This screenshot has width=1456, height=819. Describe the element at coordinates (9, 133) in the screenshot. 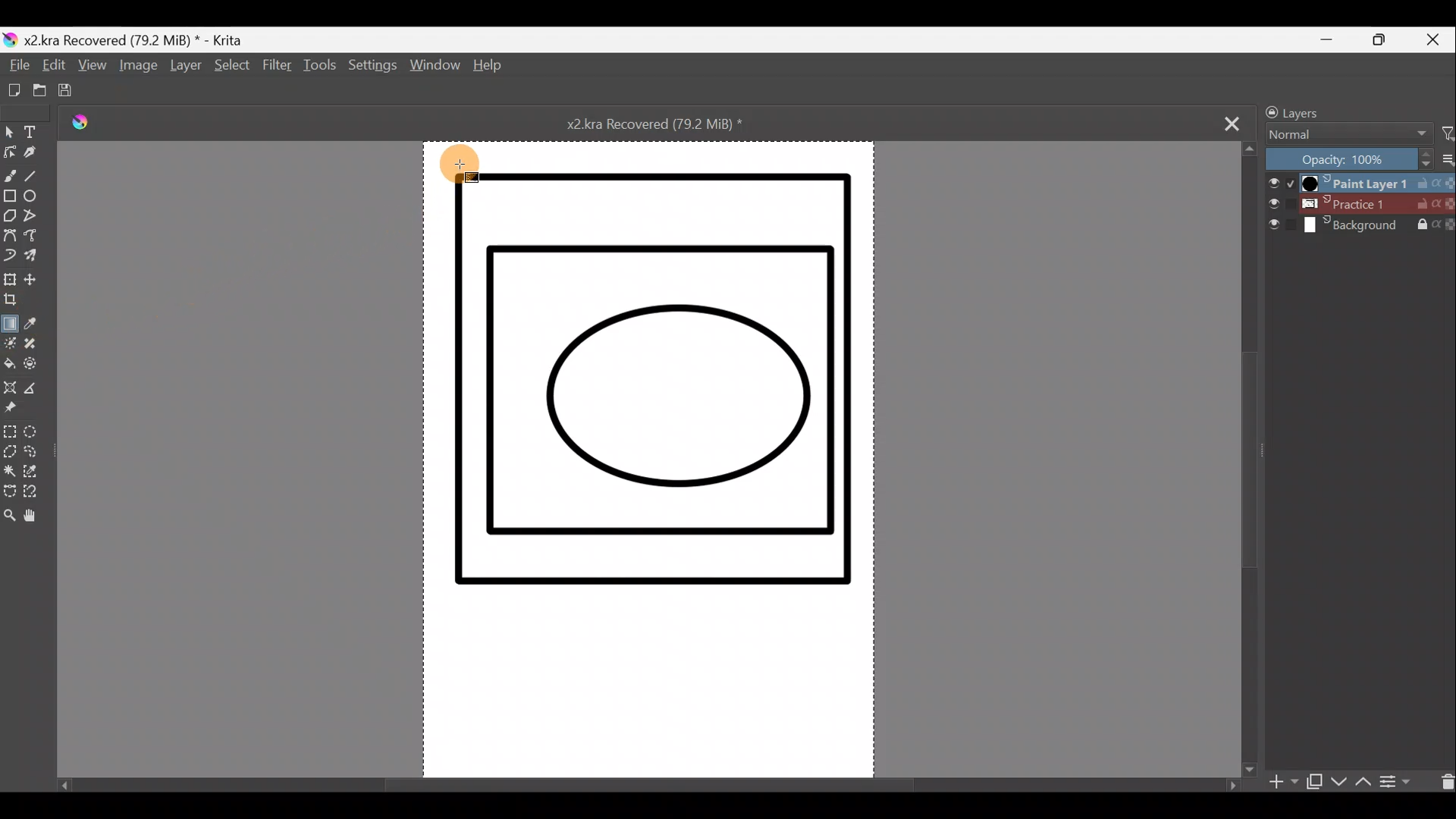

I see `Select shapes tool` at that location.